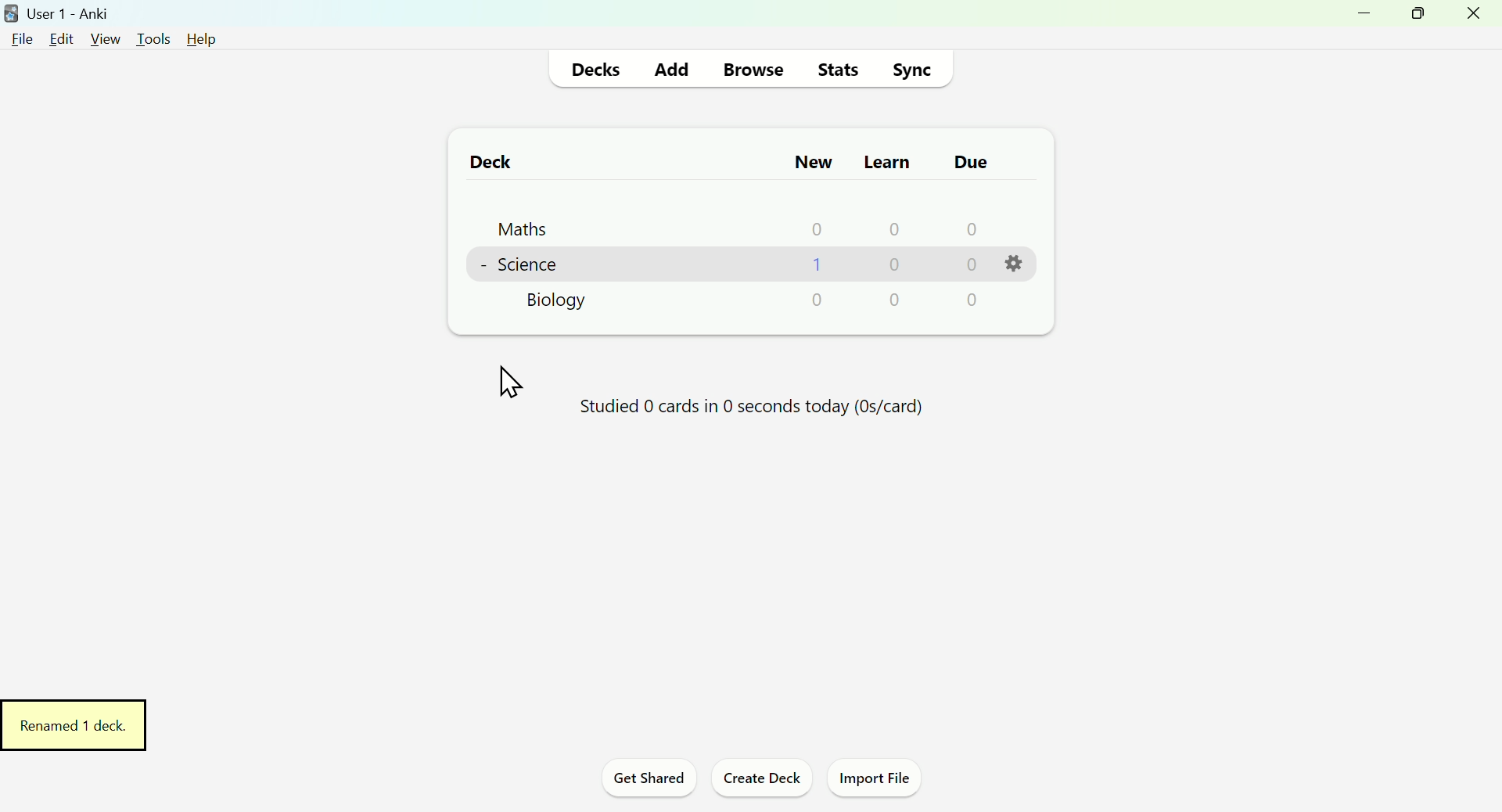 The width and height of the screenshot is (1502, 812). What do you see at coordinates (820, 299) in the screenshot?
I see `0` at bounding box center [820, 299].